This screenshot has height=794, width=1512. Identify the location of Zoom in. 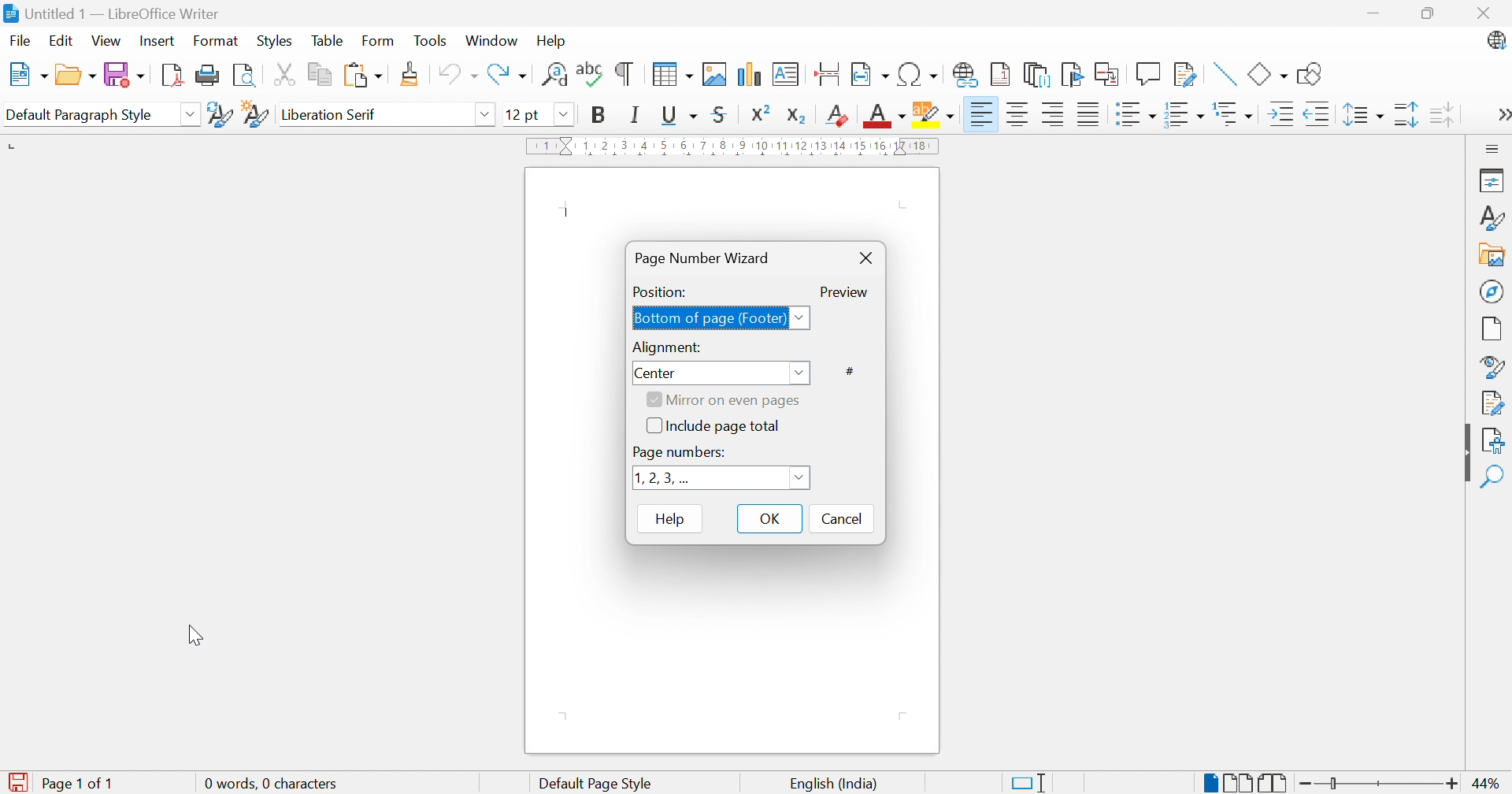
(1451, 785).